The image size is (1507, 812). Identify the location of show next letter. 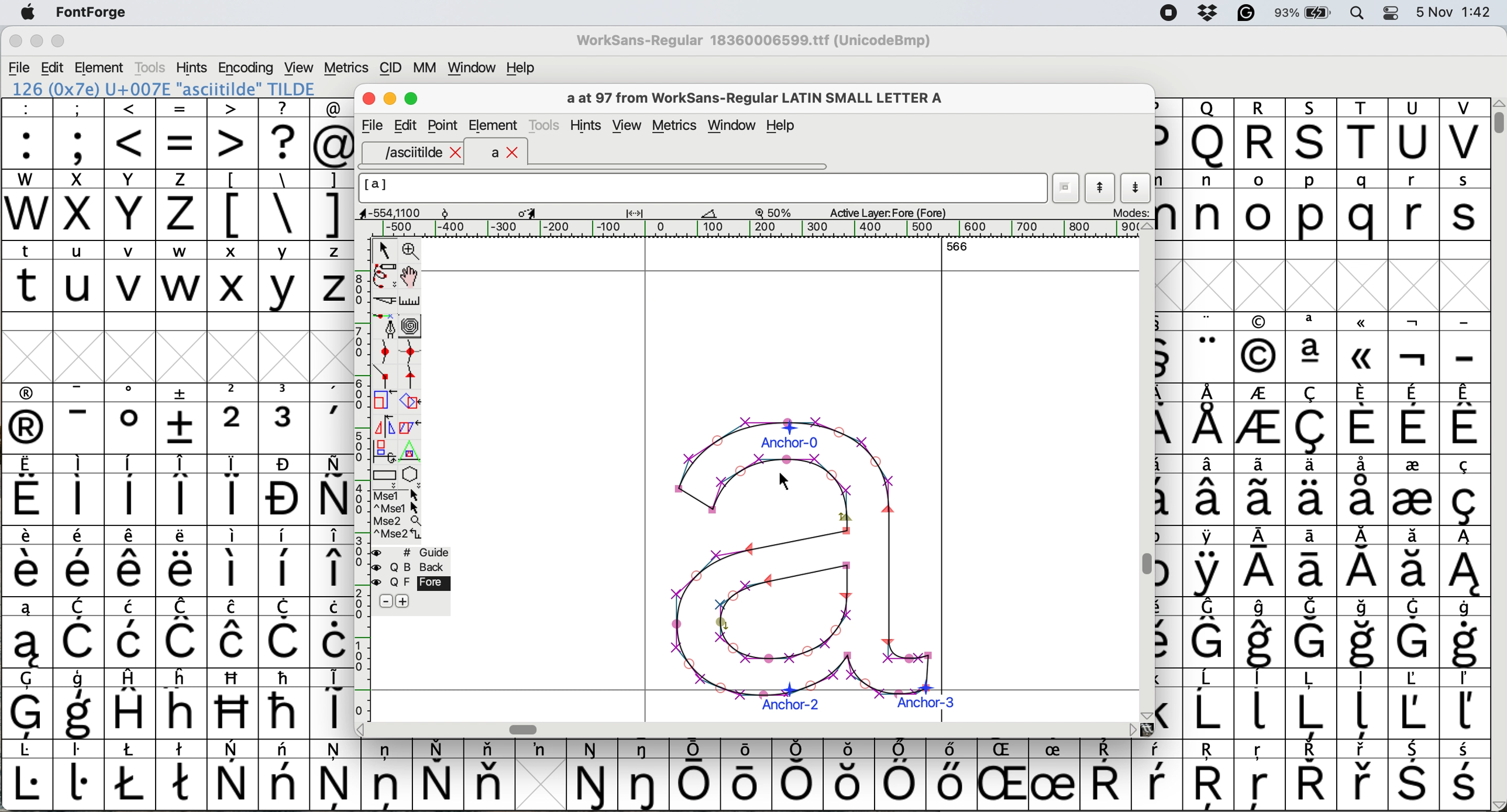
(1138, 187).